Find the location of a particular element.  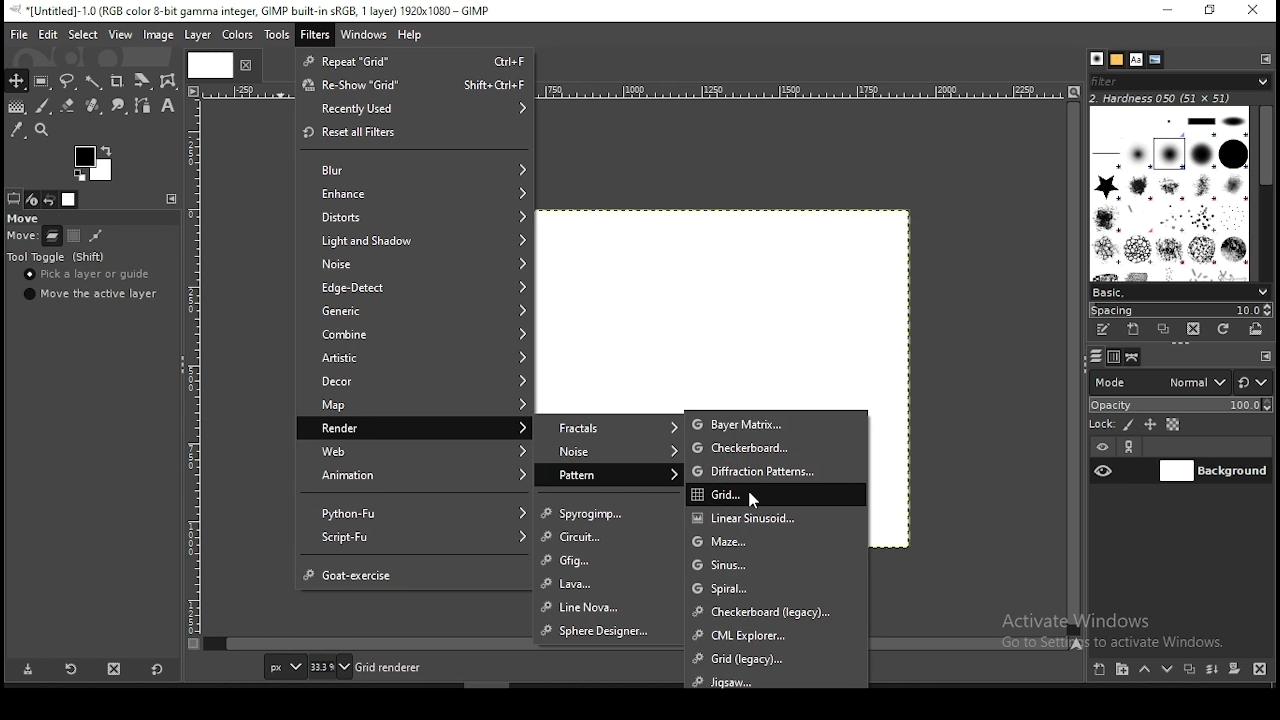

brushes is located at coordinates (1168, 194).